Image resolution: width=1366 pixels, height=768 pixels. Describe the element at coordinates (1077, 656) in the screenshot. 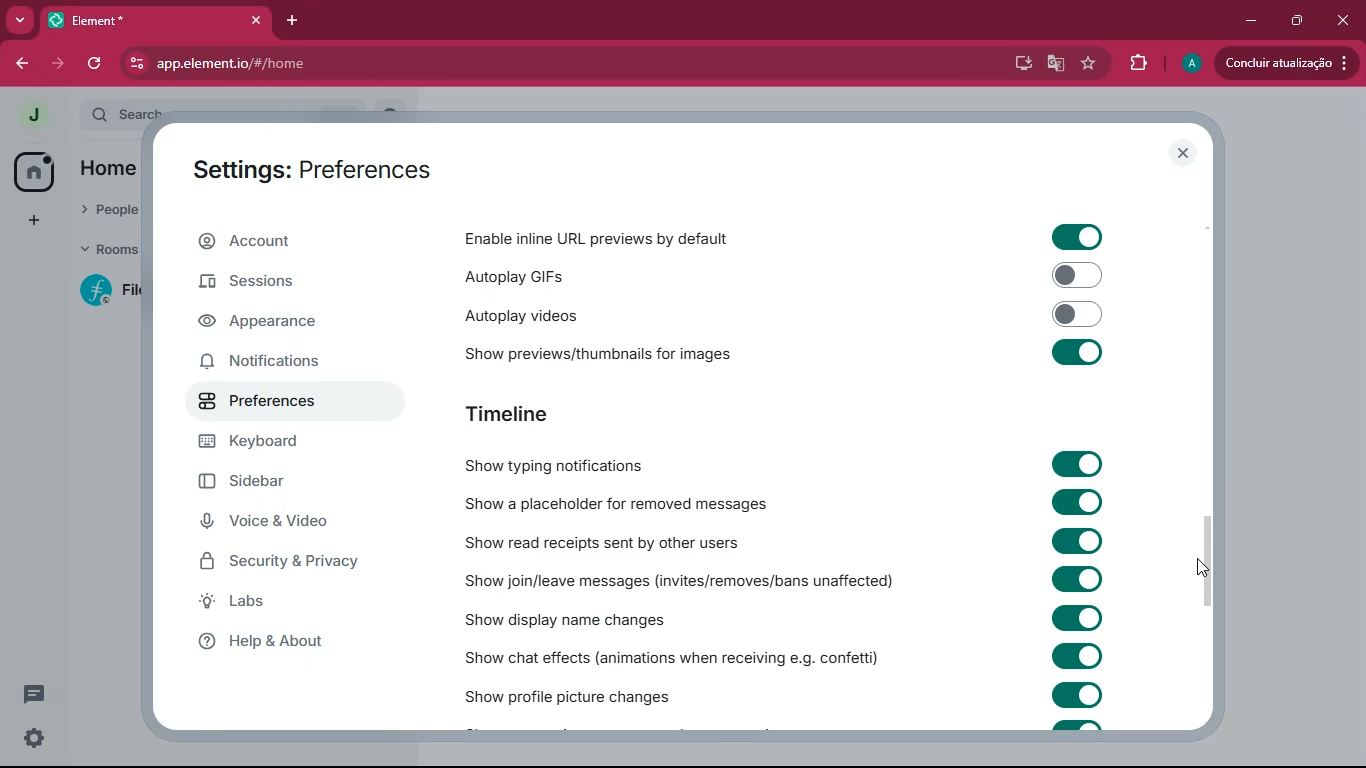

I see `toggle on/off` at that location.